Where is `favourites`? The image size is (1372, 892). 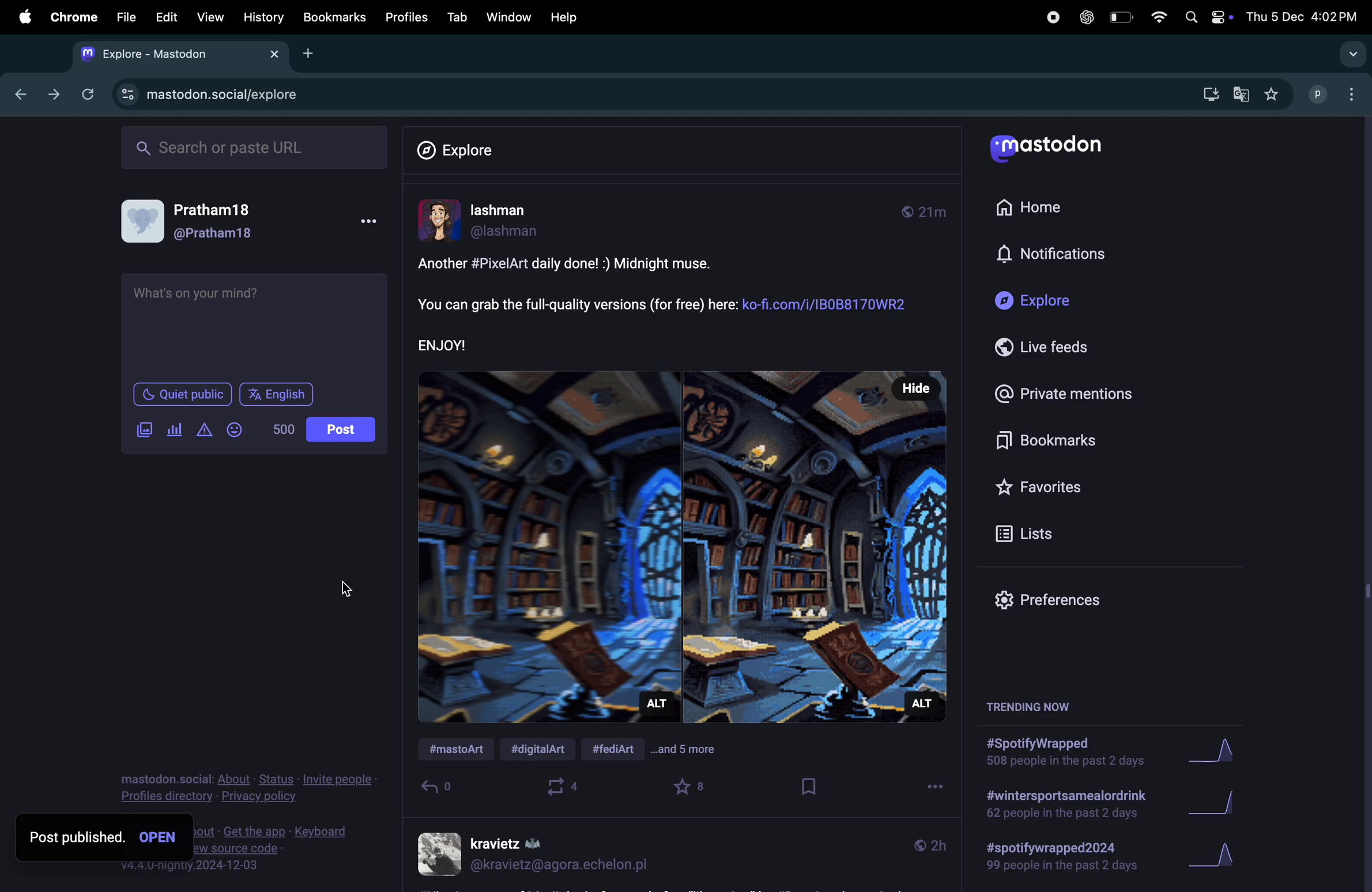 favourites is located at coordinates (1046, 485).